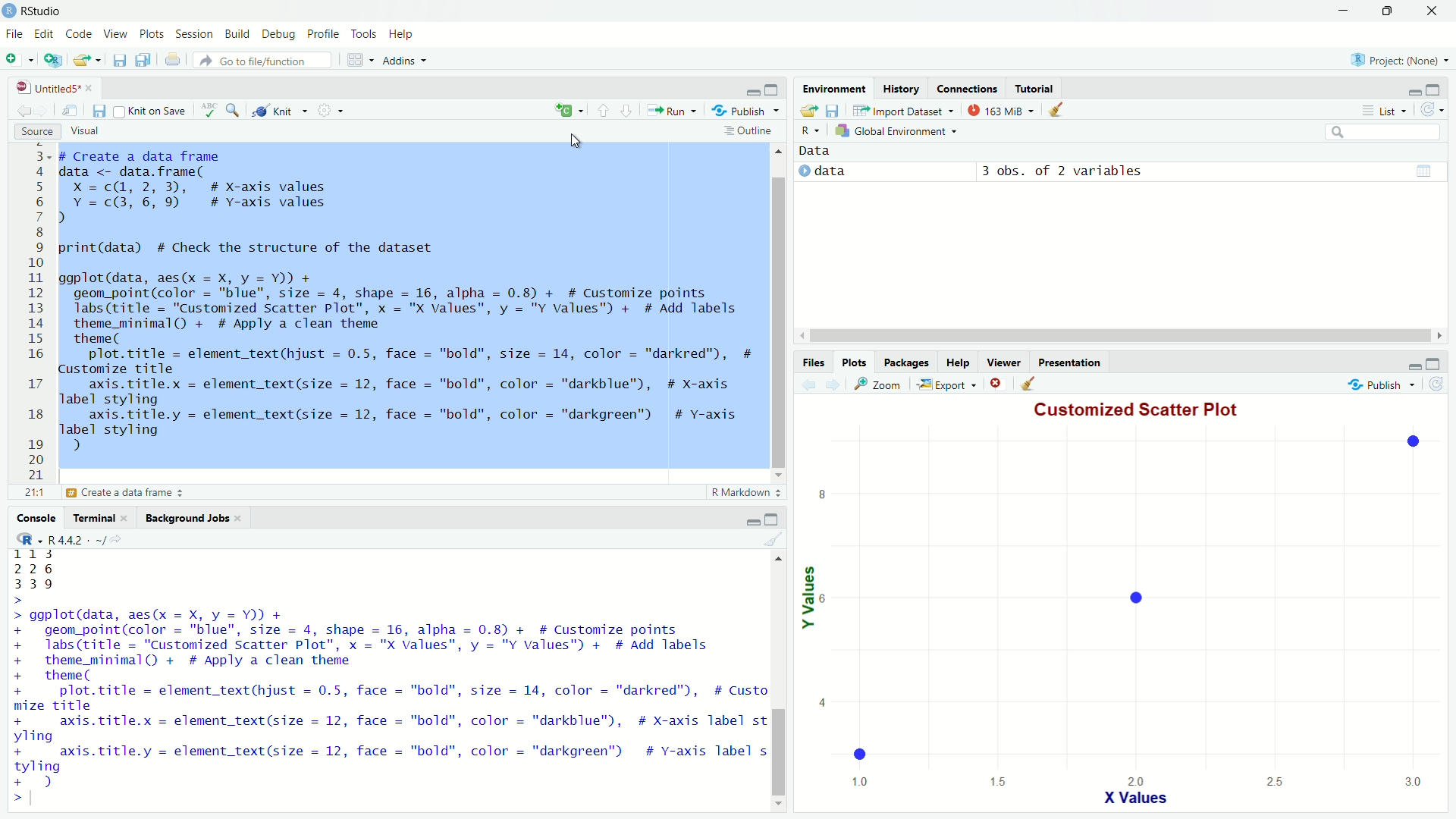 Image resolution: width=1456 pixels, height=819 pixels. What do you see at coordinates (604, 111) in the screenshot?
I see `Go to the previous section/chunk` at bounding box center [604, 111].